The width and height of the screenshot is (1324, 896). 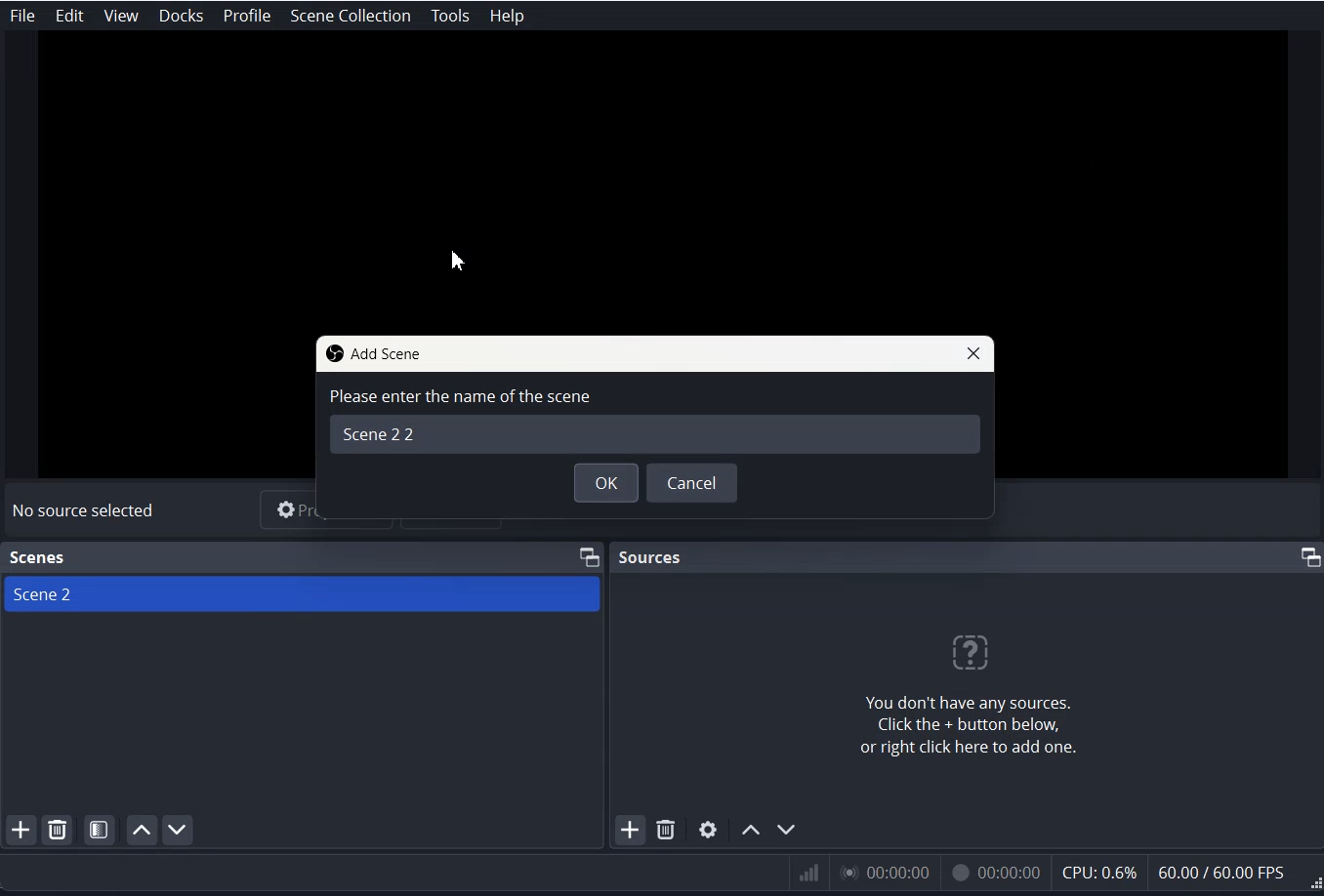 What do you see at coordinates (708, 829) in the screenshot?
I see `Open Source Settings` at bounding box center [708, 829].